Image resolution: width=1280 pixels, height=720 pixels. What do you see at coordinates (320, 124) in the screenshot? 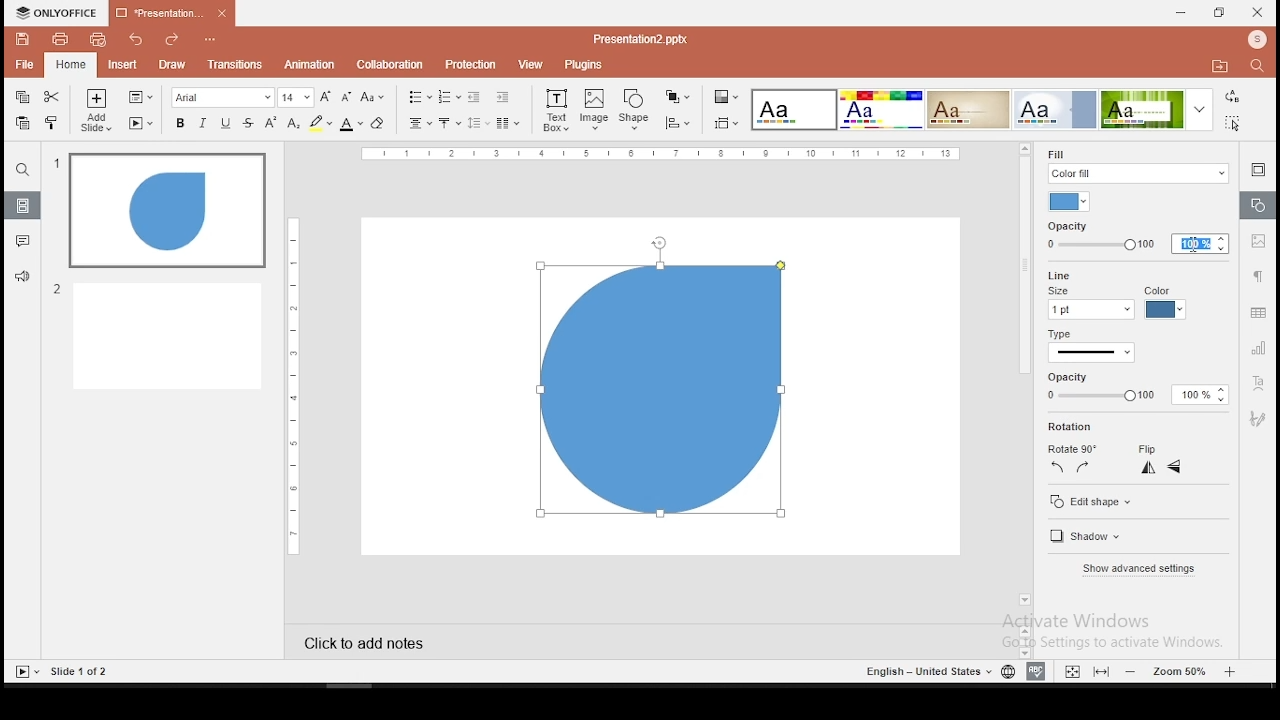
I see `highlight` at bounding box center [320, 124].